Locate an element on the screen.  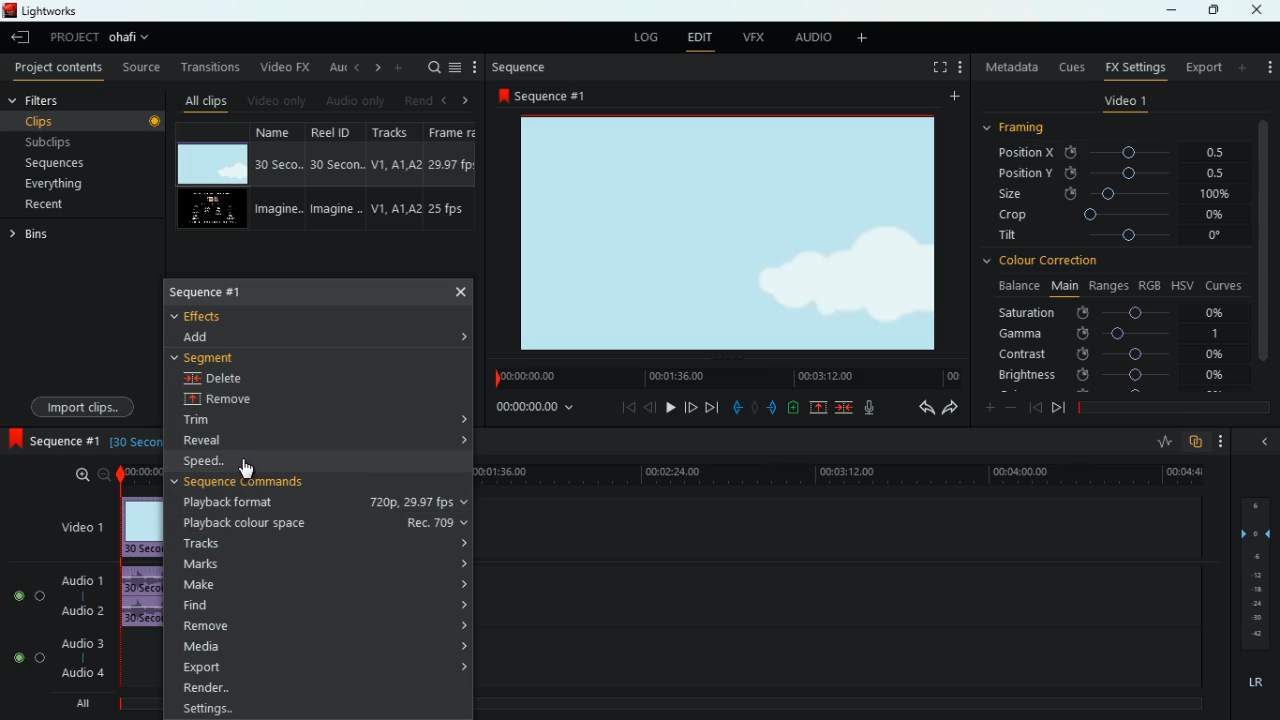
framing is located at coordinates (1026, 129).